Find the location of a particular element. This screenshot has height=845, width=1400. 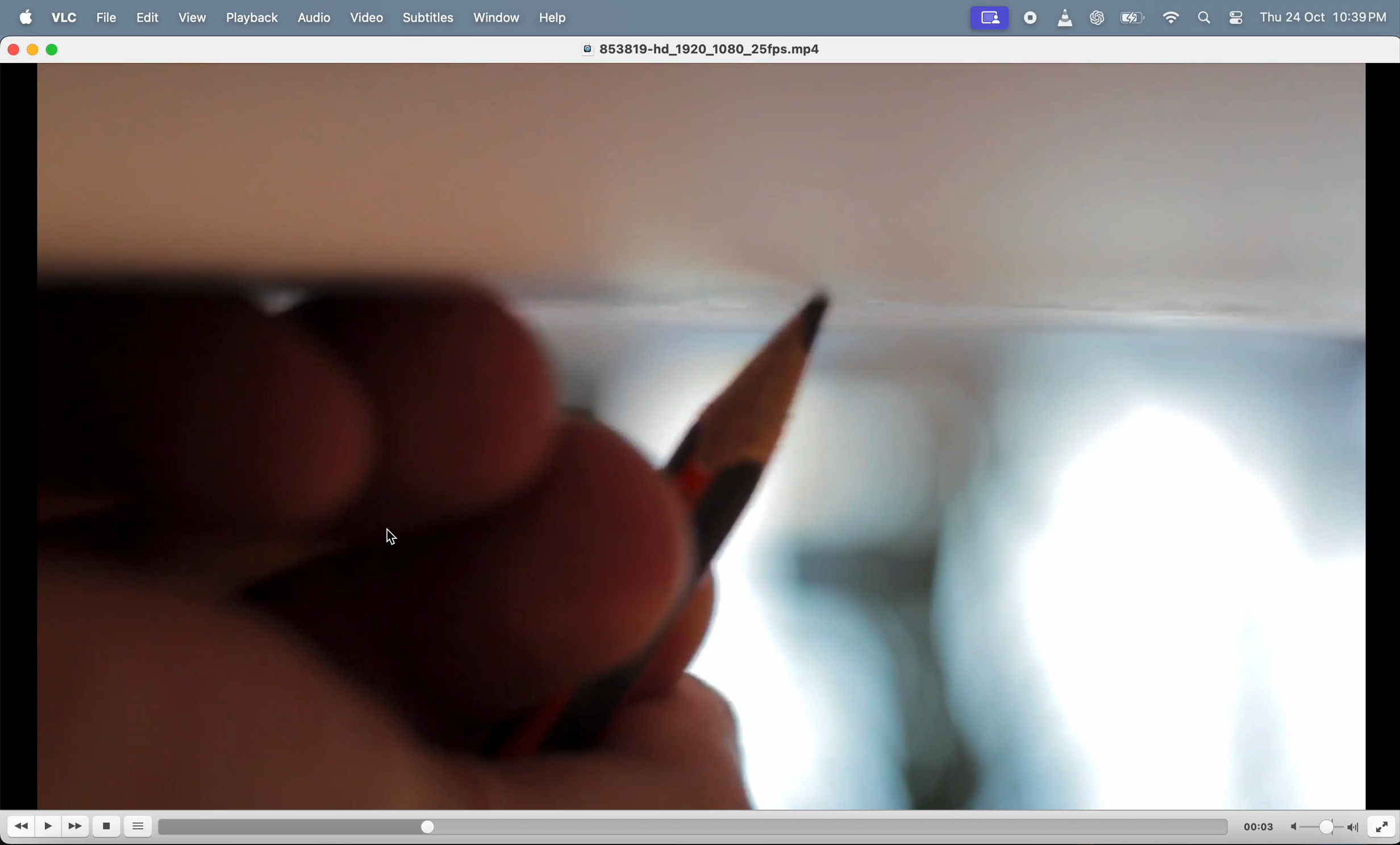

time and date is located at coordinates (1328, 16).